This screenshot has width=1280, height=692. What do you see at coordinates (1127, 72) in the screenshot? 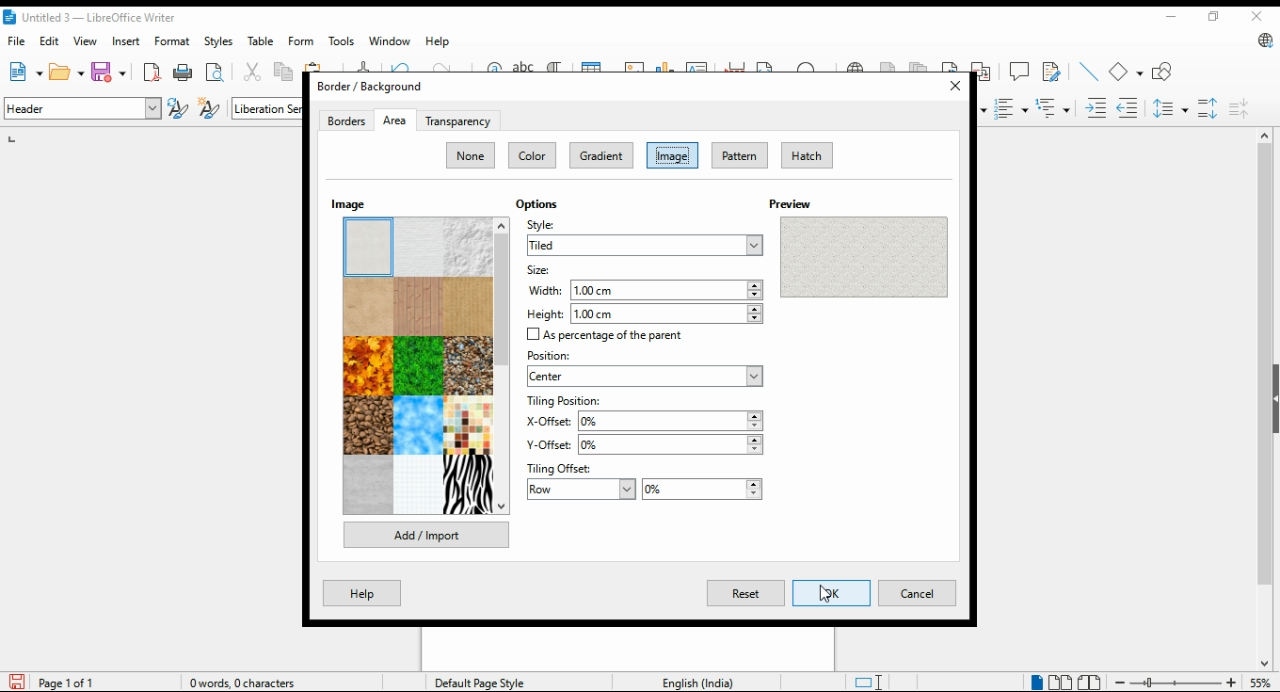
I see `basic shape` at bounding box center [1127, 72].